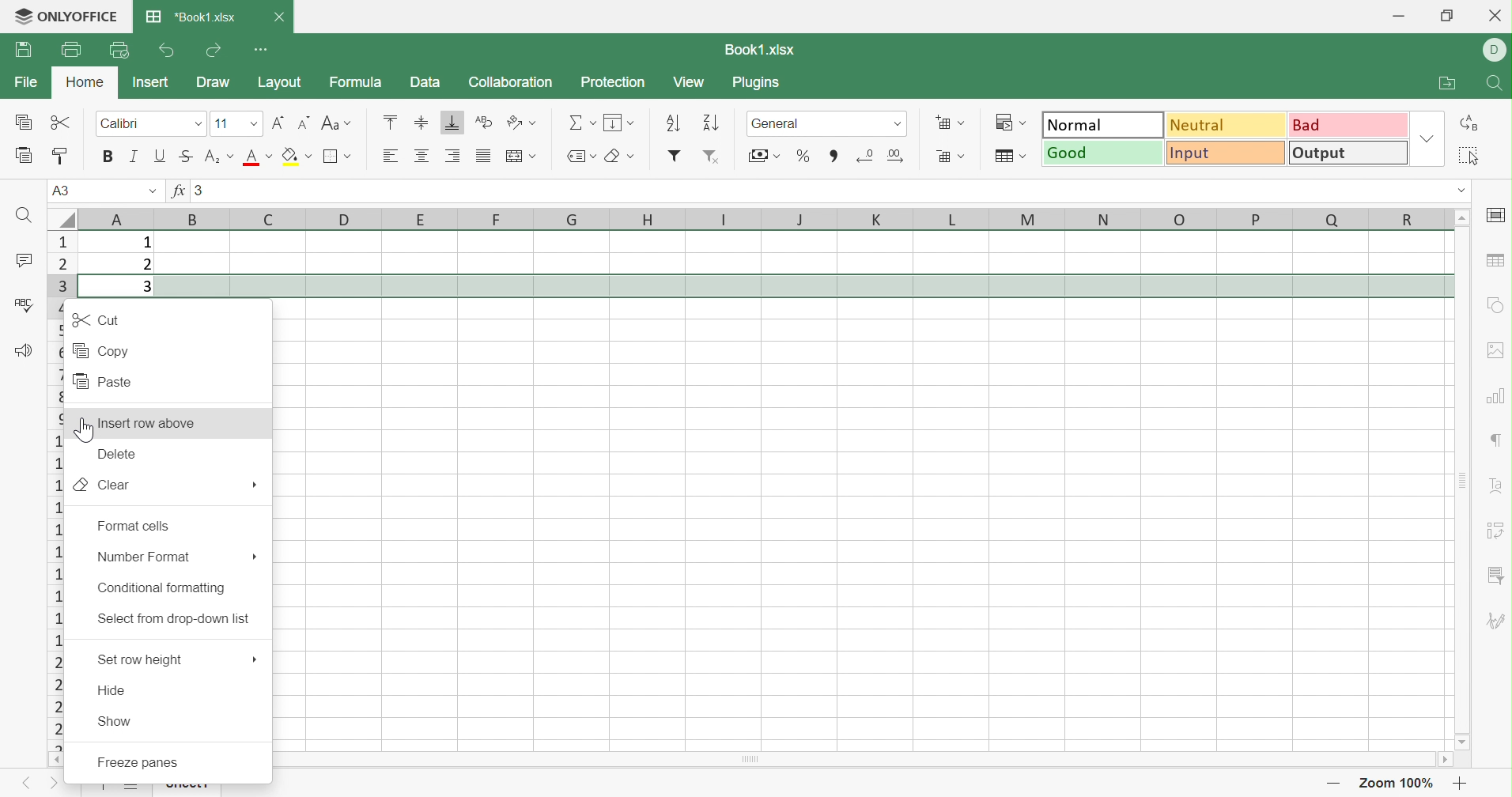 The width and height of the screenshot is (1512, 797). What do you see at coordinates (281, 81) in the screenshot?
I see `Layout` at bounding box center [281, 81].